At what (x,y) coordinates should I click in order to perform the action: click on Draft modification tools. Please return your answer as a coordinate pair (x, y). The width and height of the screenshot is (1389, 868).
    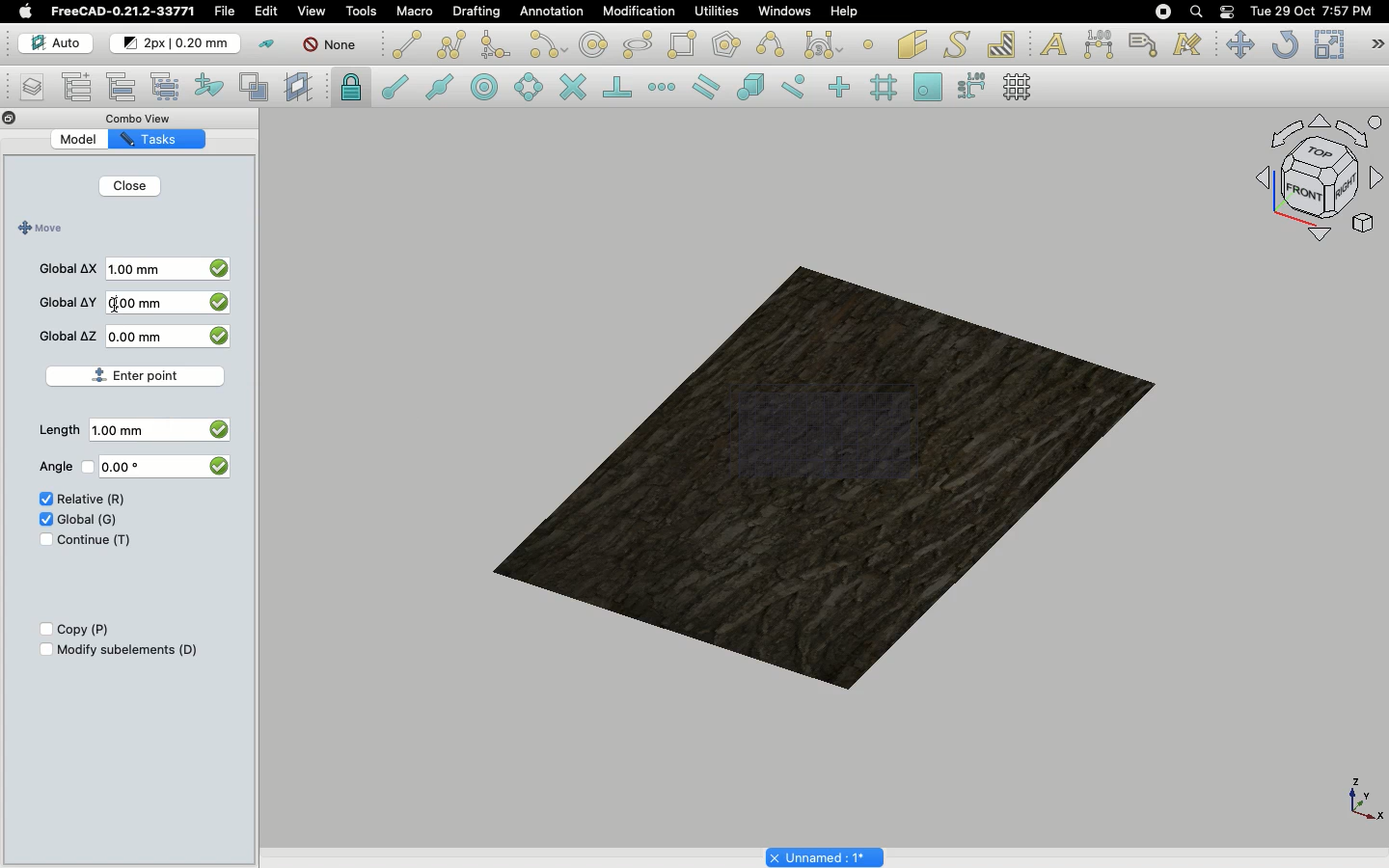
    Looking at the image, I should click on (1376, 46).